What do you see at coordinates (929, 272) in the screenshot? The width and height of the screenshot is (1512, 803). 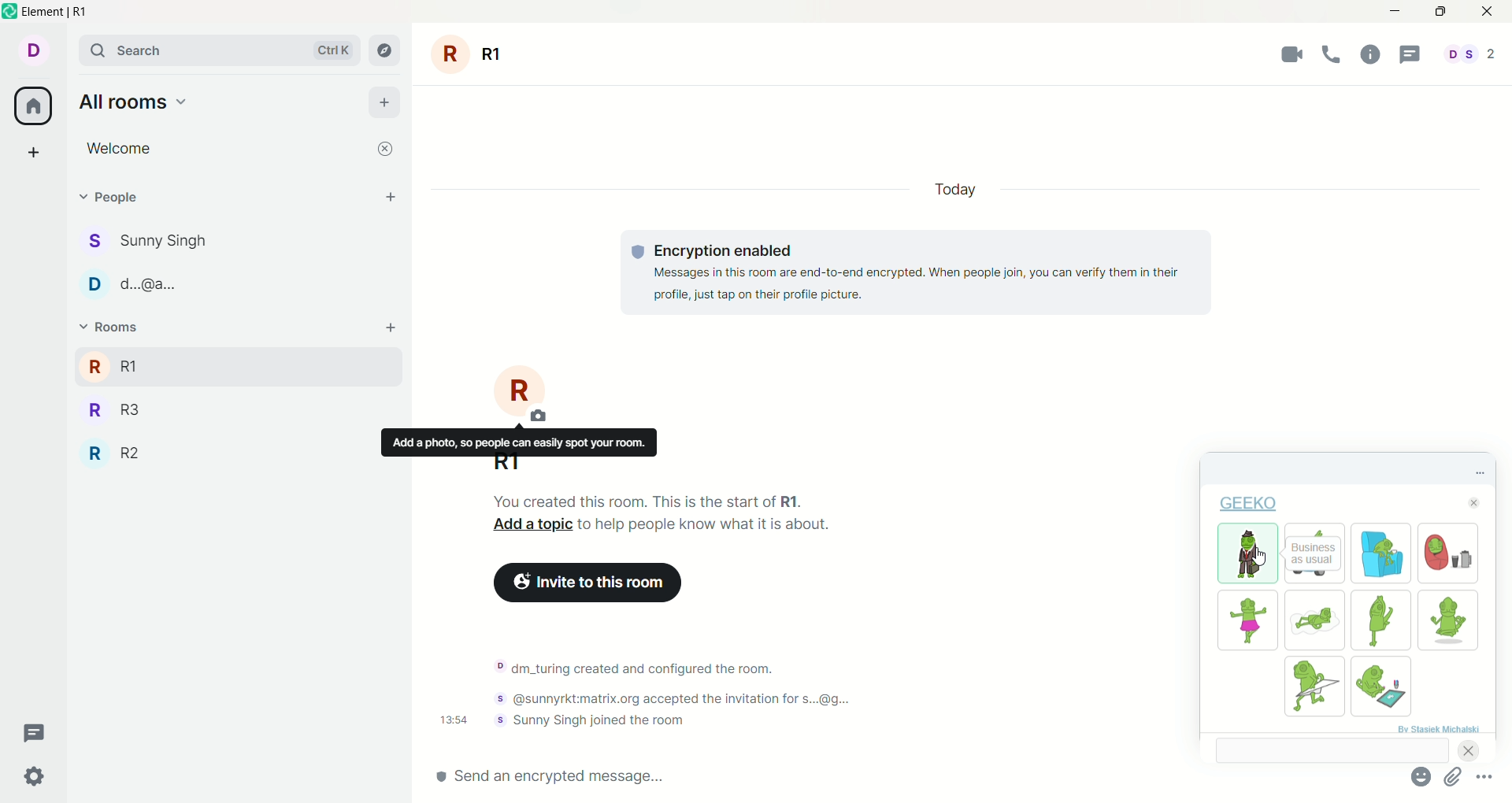 I see `text` at bounding box center [929, 272].